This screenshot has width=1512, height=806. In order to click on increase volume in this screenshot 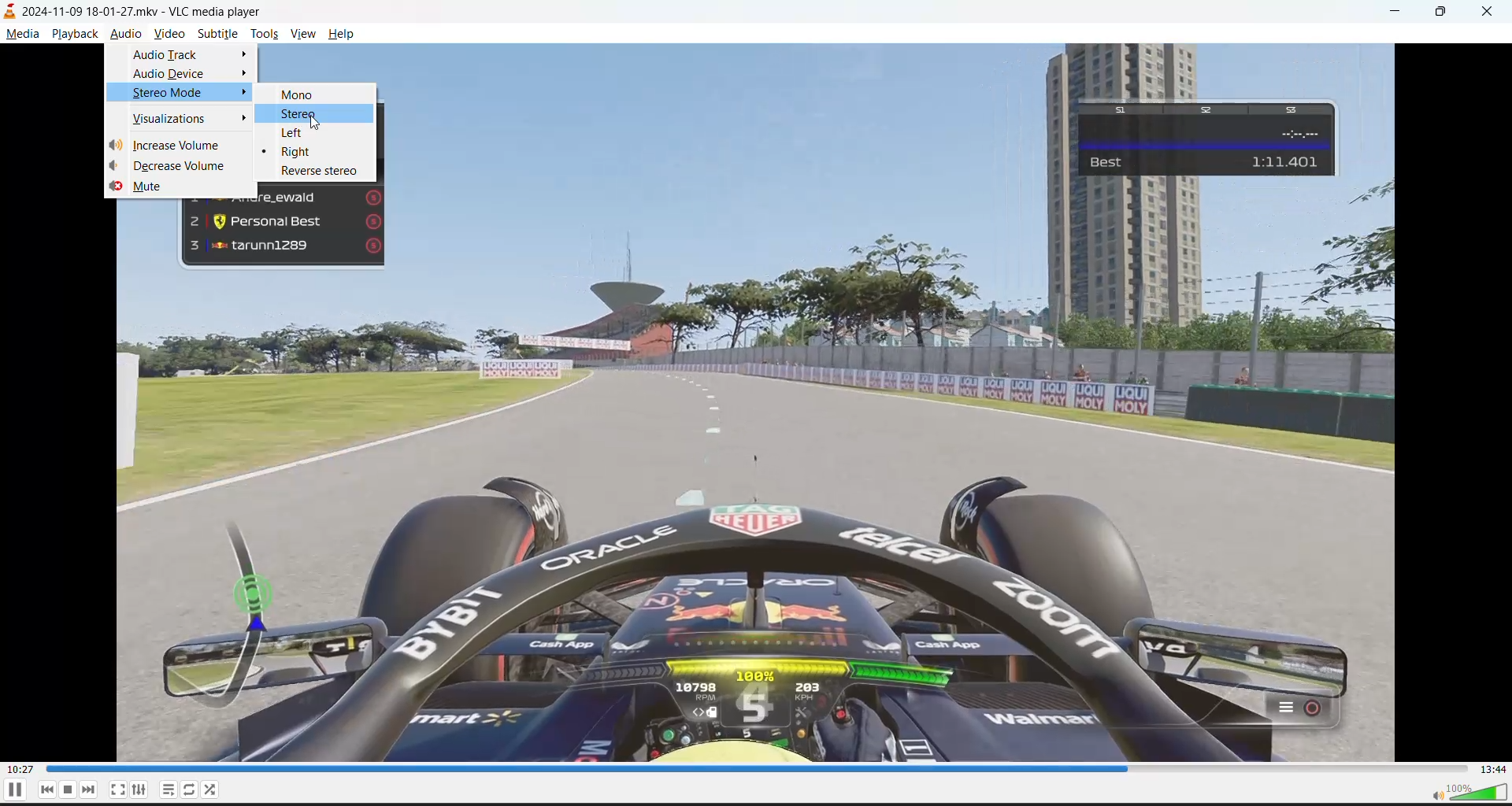, I will do `click(166, 143)`.